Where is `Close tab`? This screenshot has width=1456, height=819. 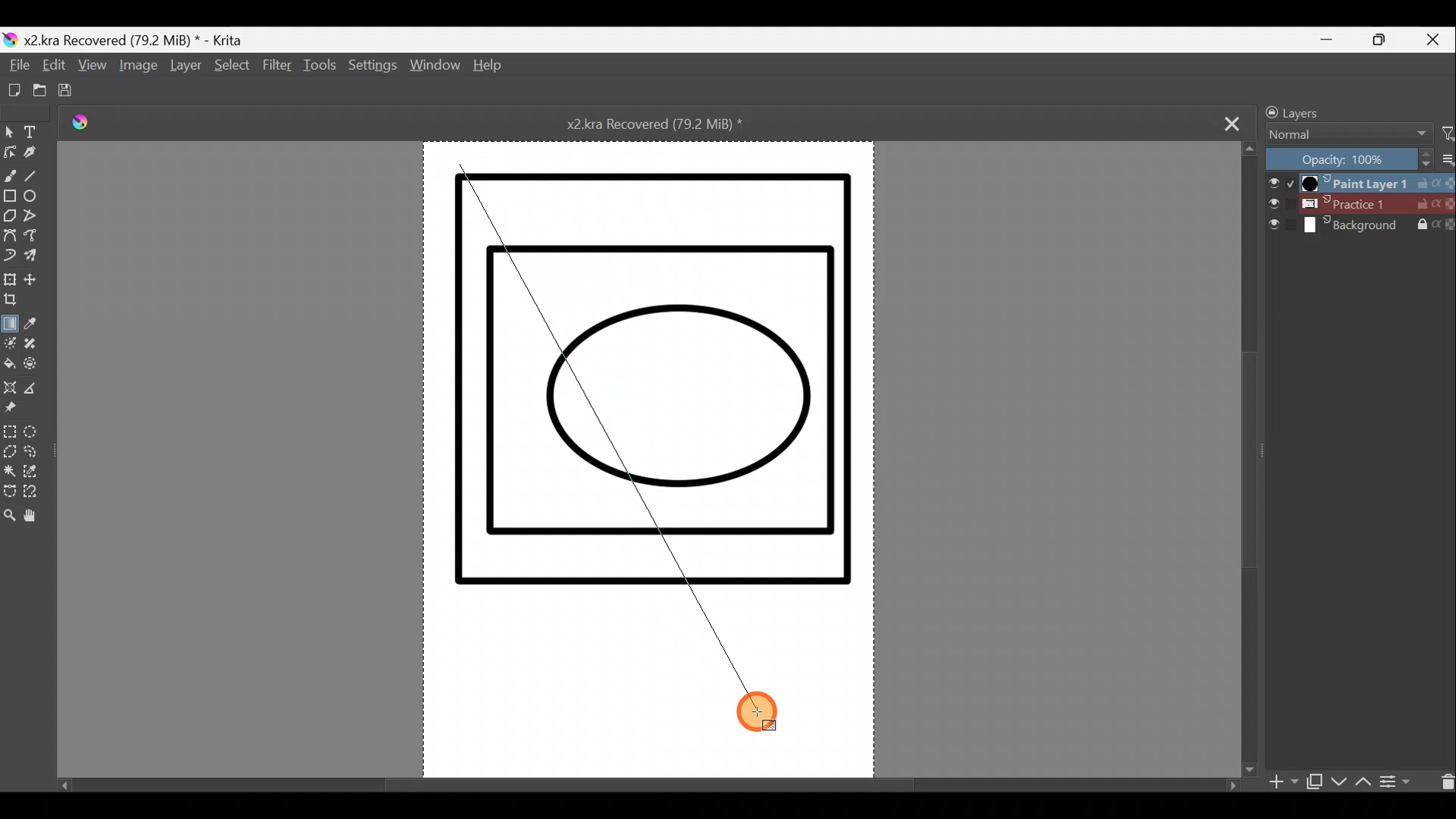
Close tab is located at coordinates (1232, 122).